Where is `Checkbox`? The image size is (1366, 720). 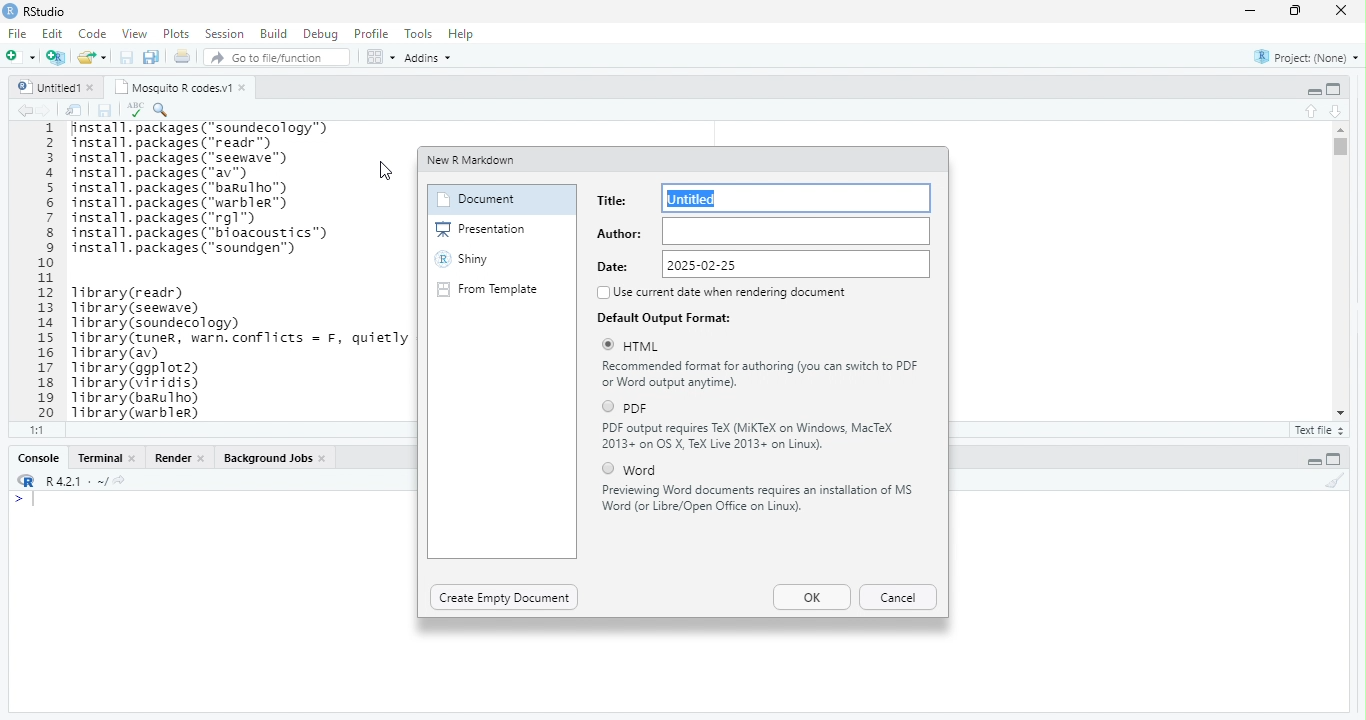 Checkbox is located at coordinates (609, 468).